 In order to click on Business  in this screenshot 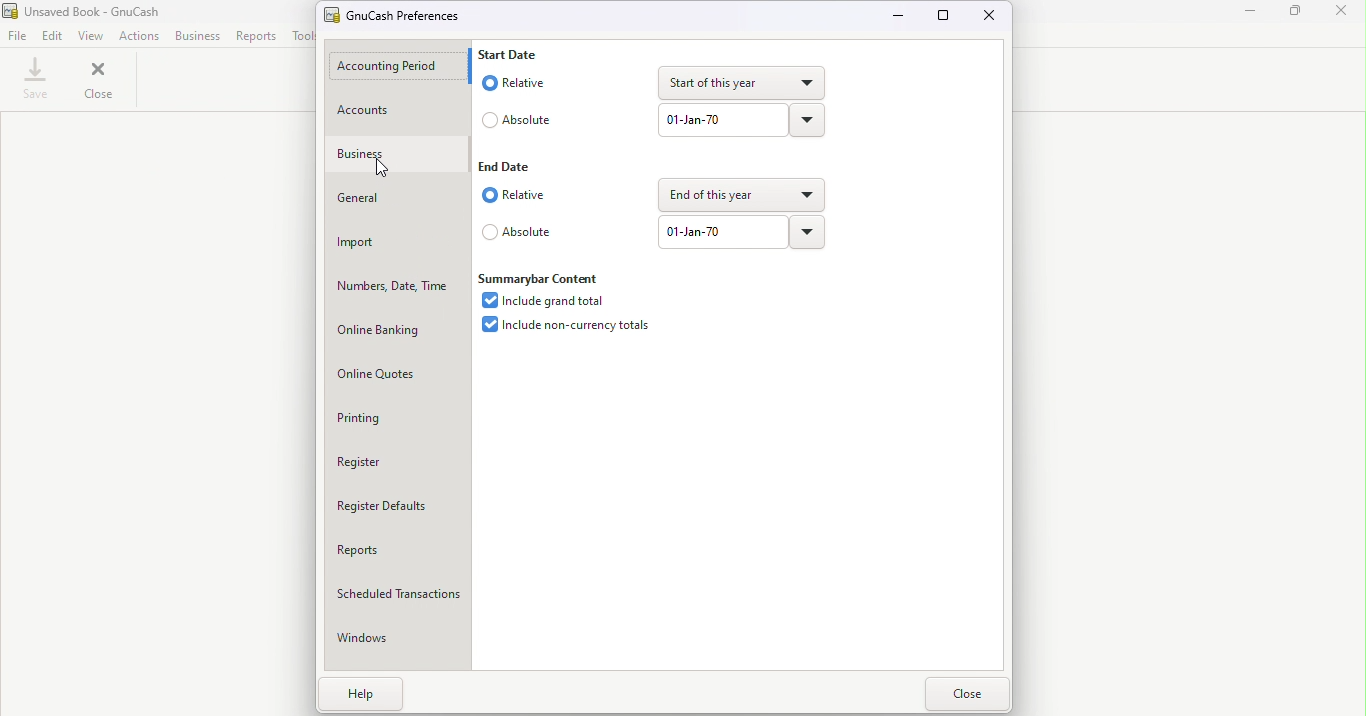, I will do `click(394, 156)`.